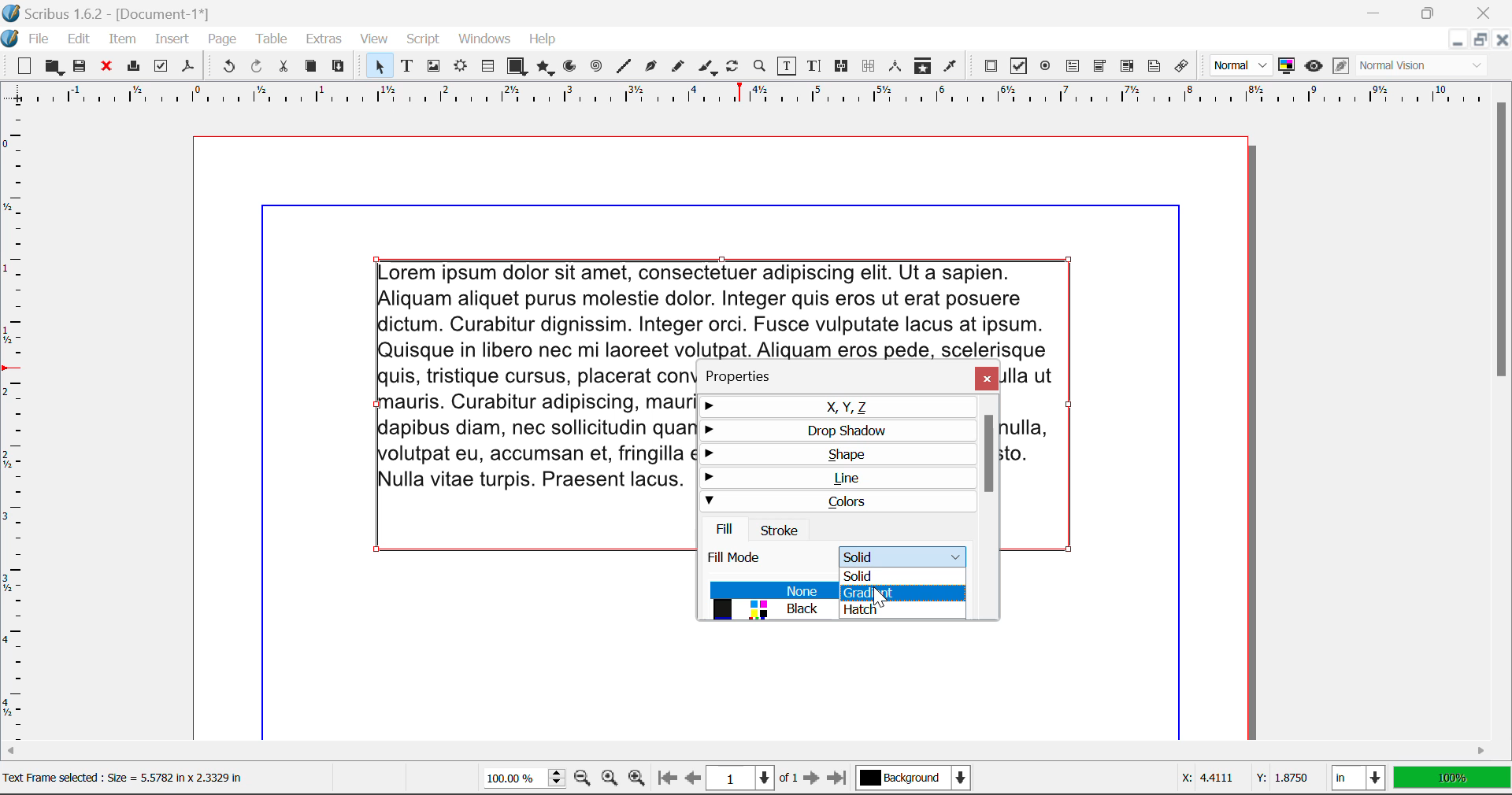 This screenshot has height=795, width=1512. I want to click on Cursor Position, so click(879, 594).